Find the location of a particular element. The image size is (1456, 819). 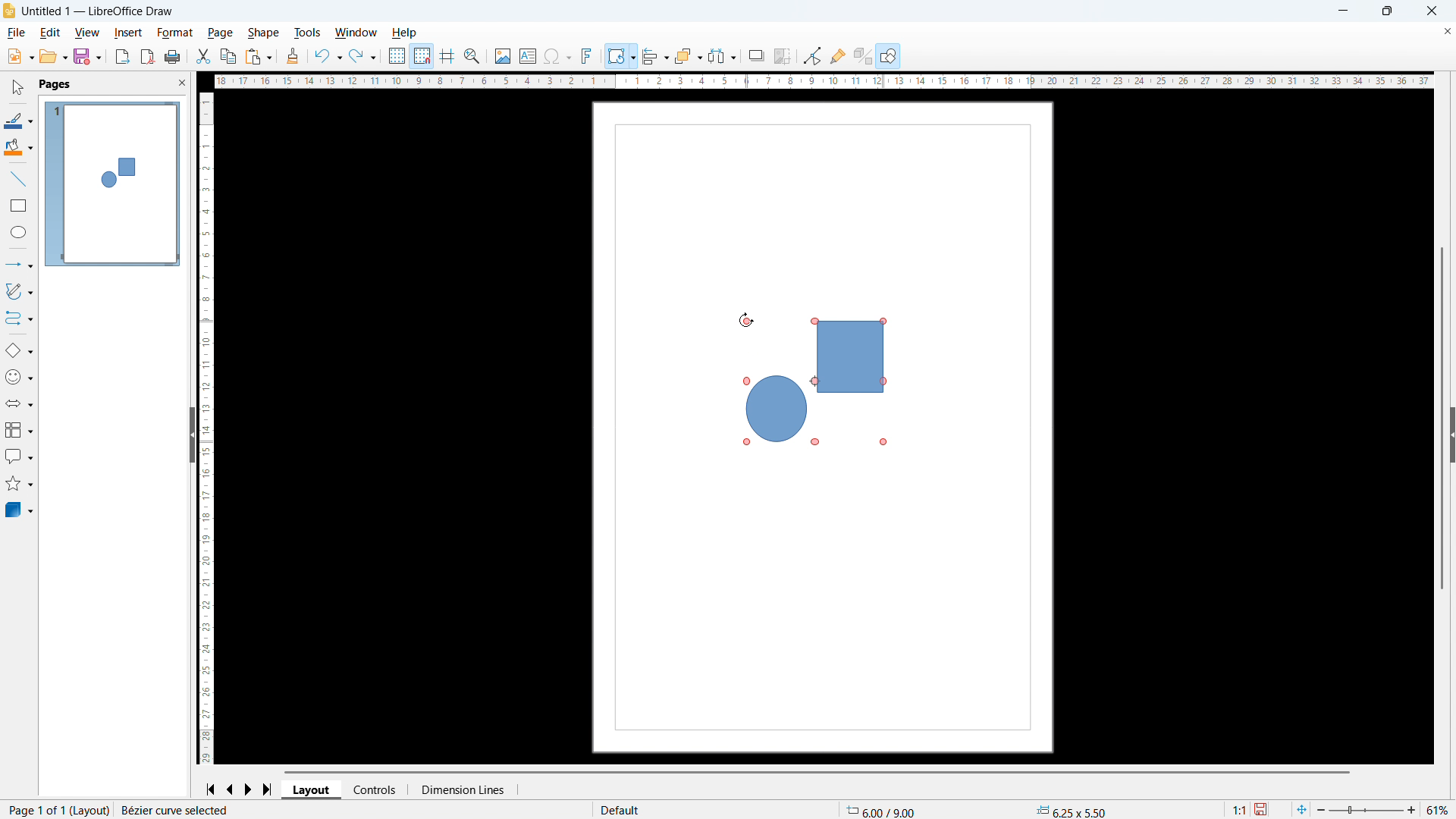

Go to last page  is located at coordinates (268, 789).